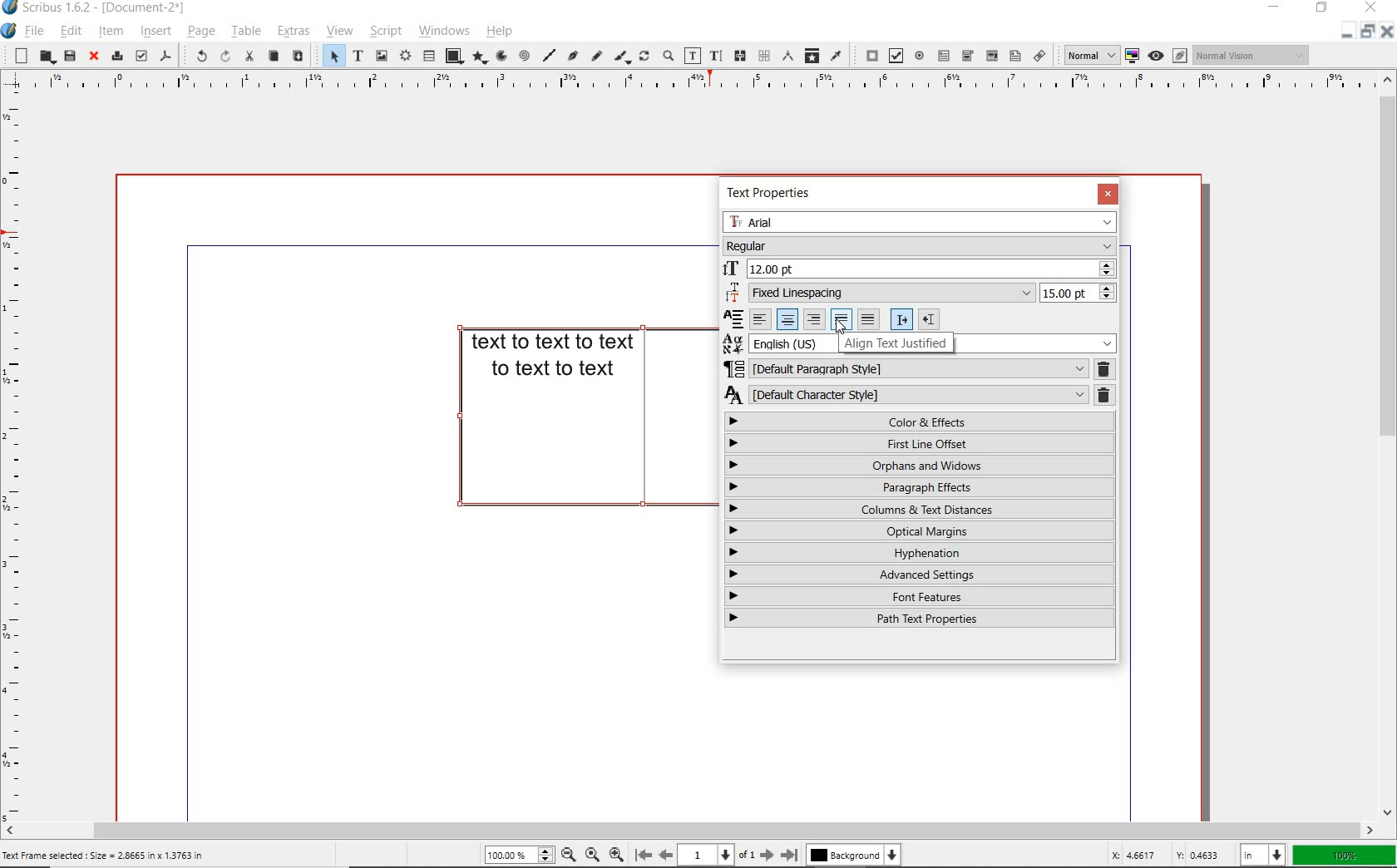 The image size is (1397, 868). Describe the element at coordinates (920, 245) in the screenshot. I see `FONT STYLE` at that location.